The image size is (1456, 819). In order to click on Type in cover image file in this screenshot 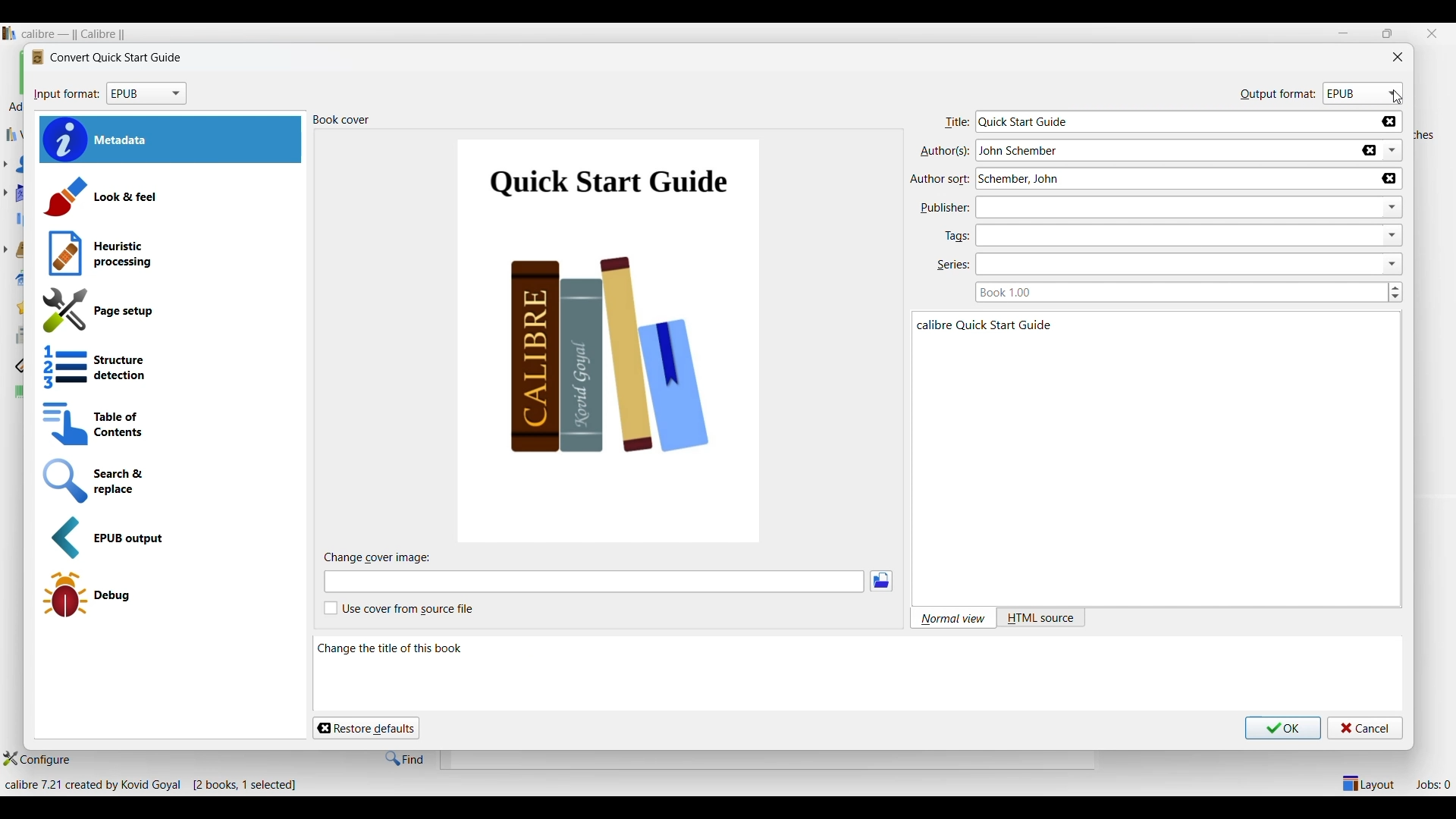, I will do `click(594, 582)`.